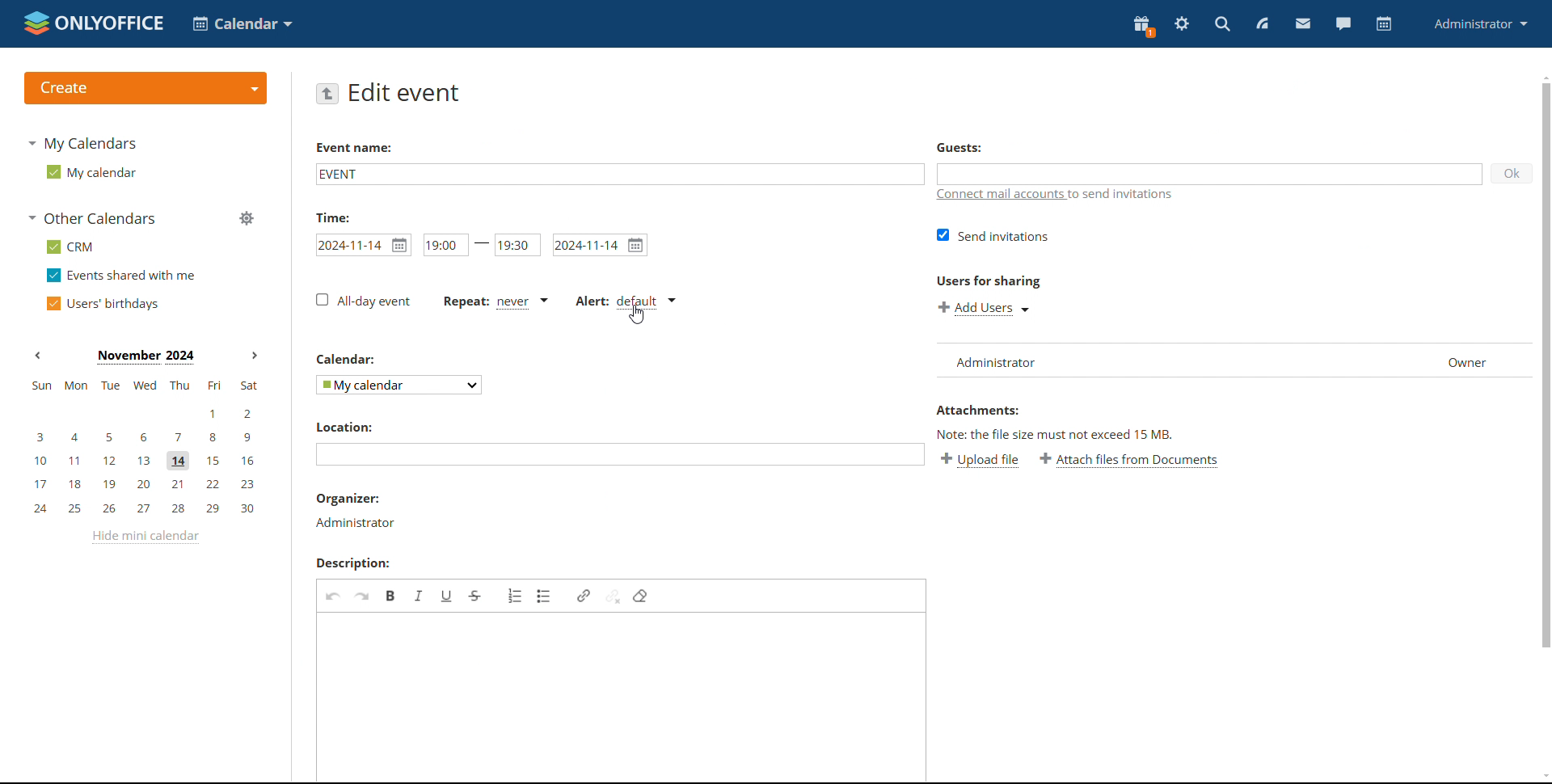 Image resolution: width=1552 pixels, height=784 pixels. I want to click on calendar, so click(1382, 25).